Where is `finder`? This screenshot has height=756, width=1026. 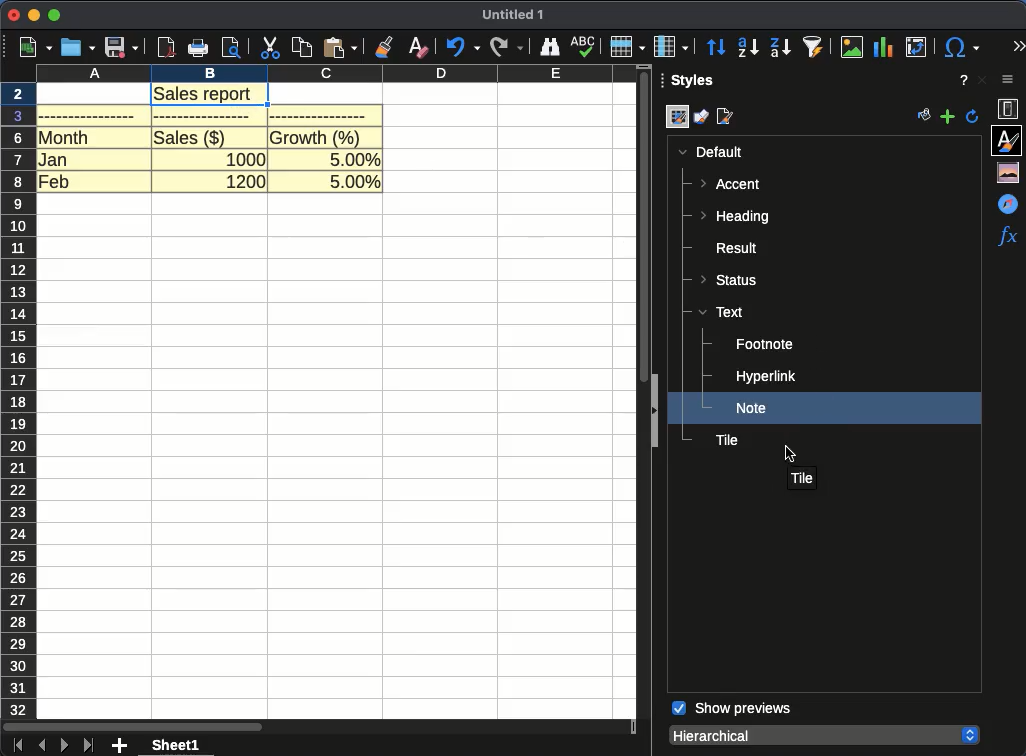
finder is located at coordinates (548, 47).